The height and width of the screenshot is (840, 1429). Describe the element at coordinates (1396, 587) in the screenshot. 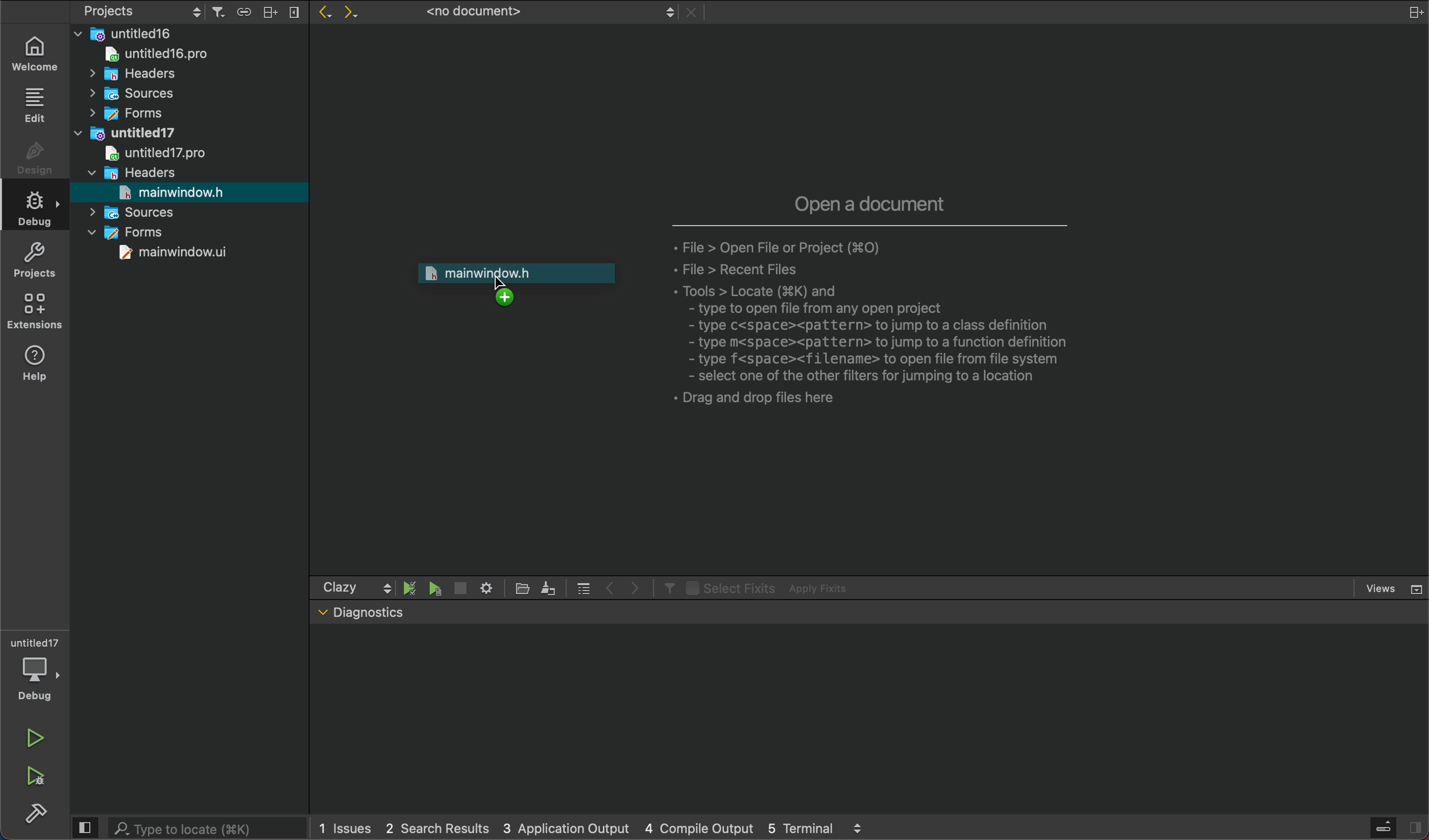

I see `Views` at that location.